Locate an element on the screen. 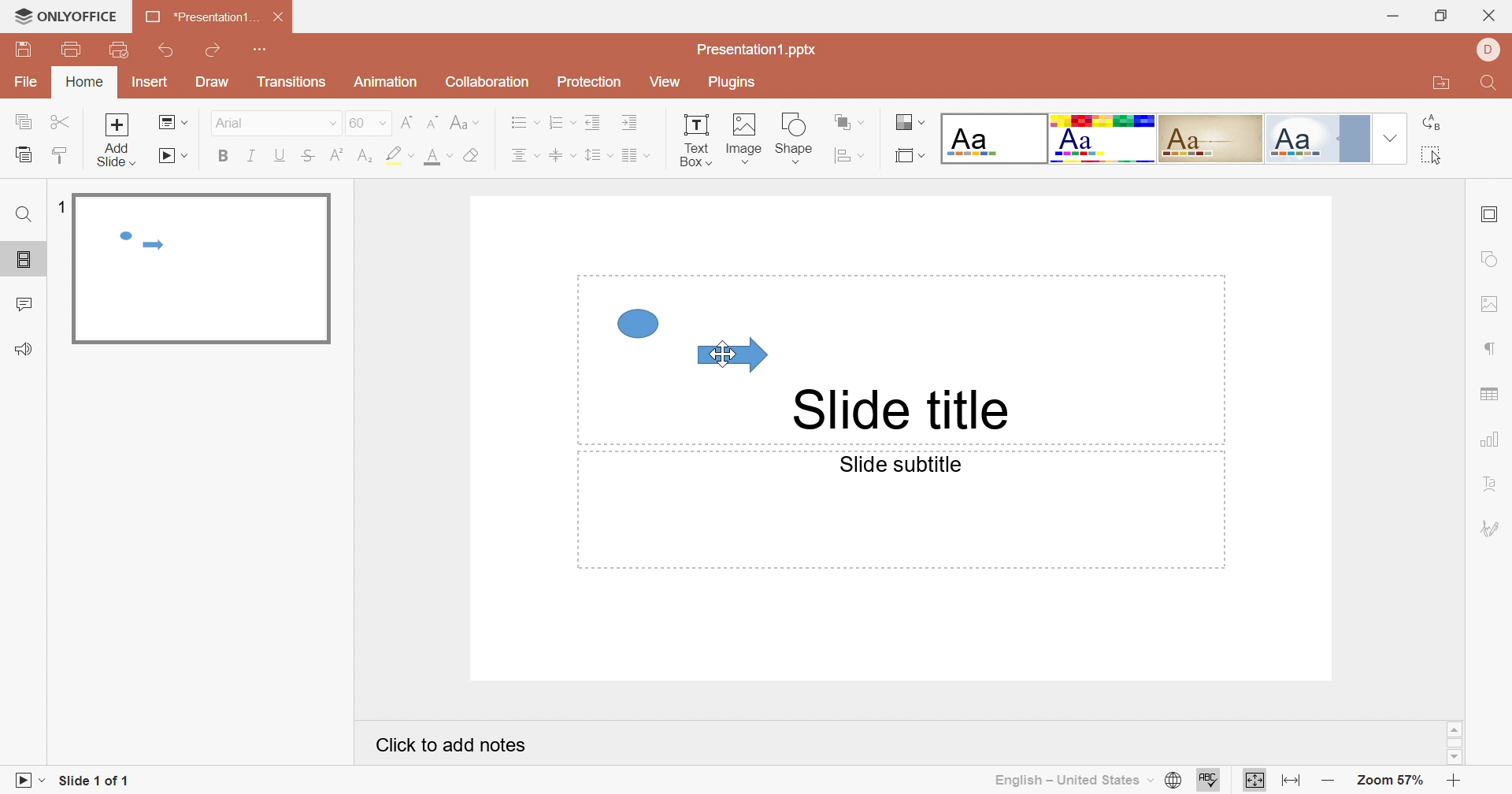 This screenshot has width=1512, height=794. Scroll Down is located at coordinates (1456, 758).